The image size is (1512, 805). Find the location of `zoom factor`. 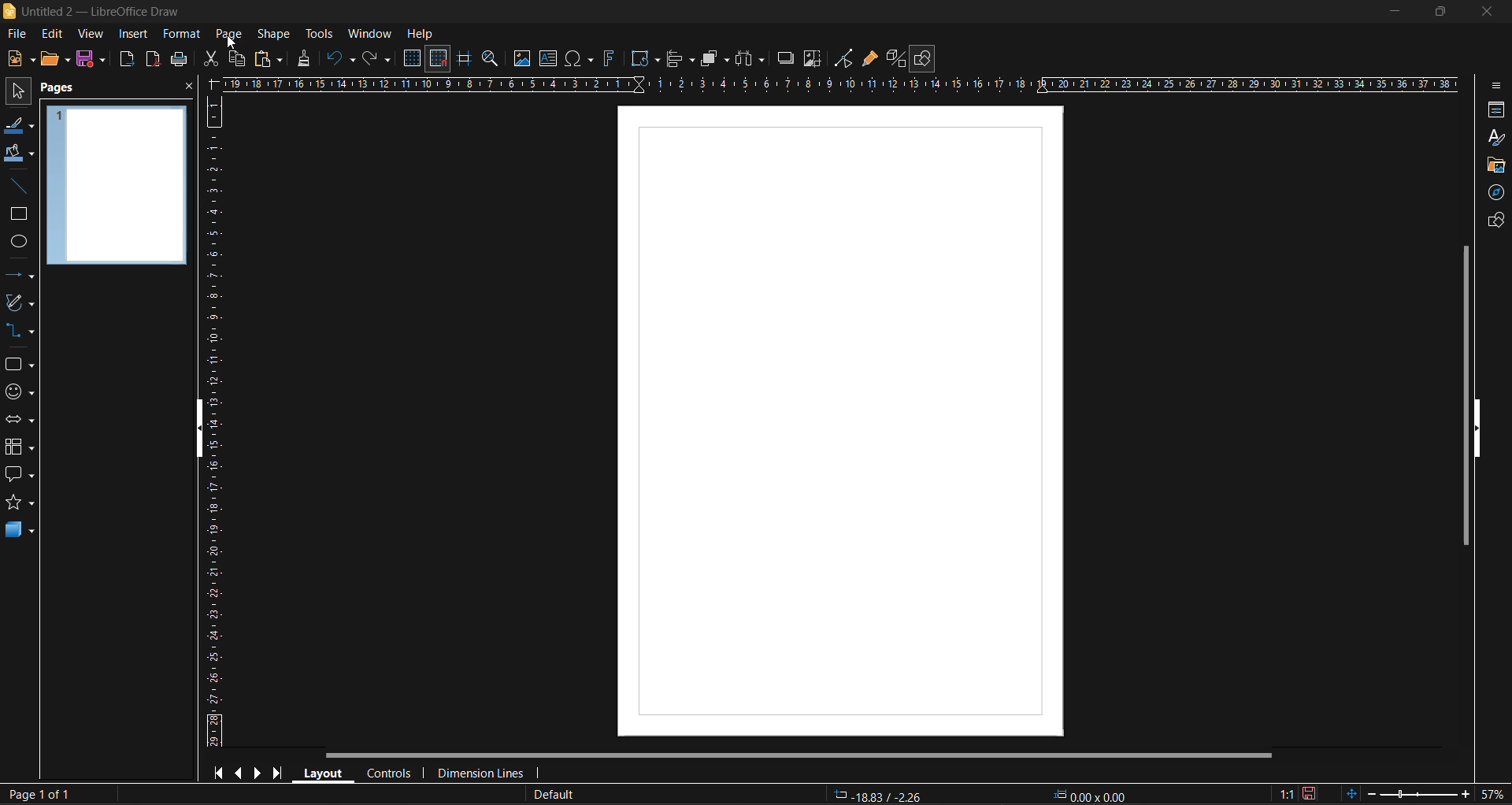

zoom factor is located at coordinates (1495, 793).